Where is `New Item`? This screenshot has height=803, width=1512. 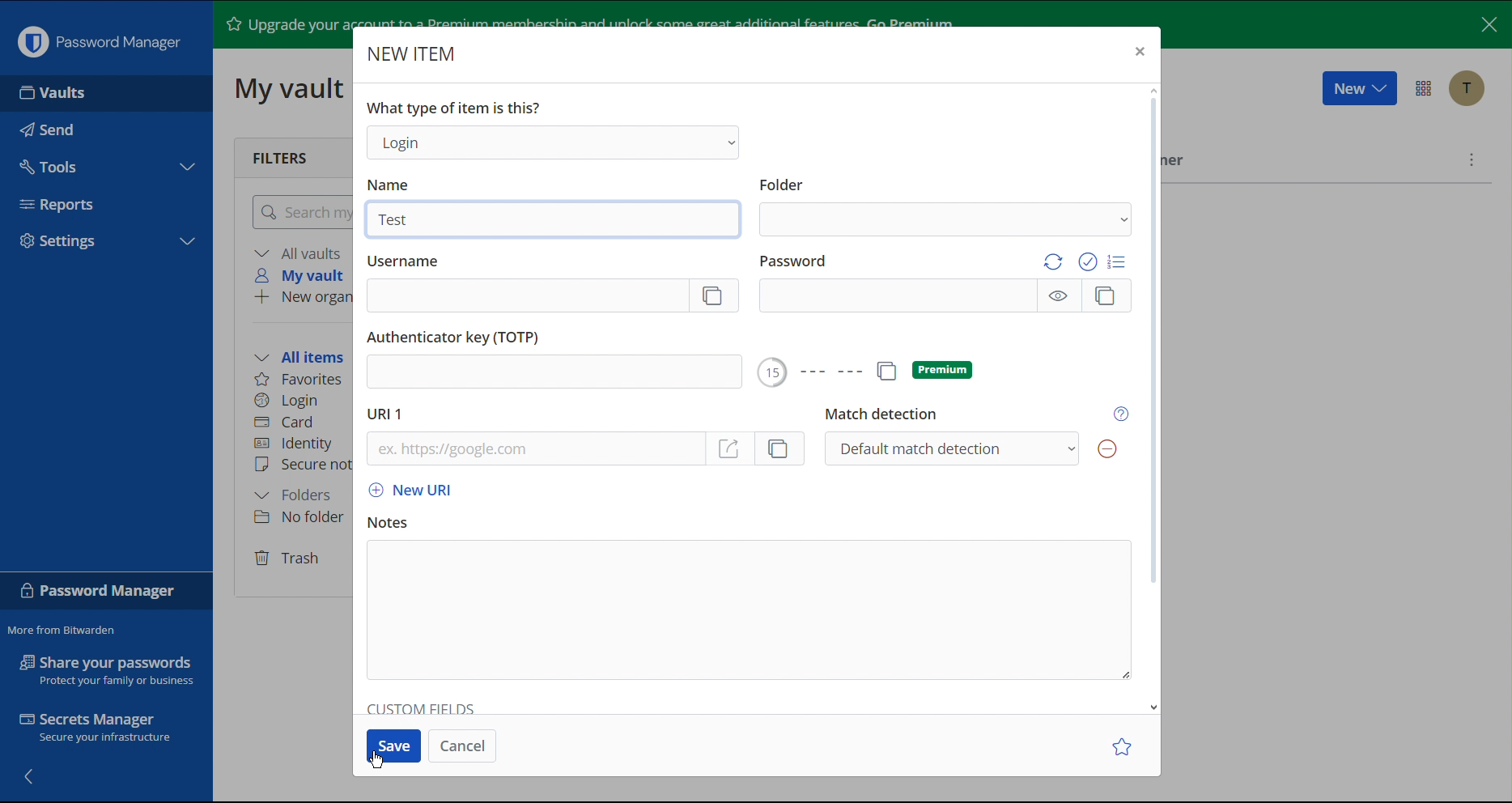
New Item is located at coordinates (417, 53).